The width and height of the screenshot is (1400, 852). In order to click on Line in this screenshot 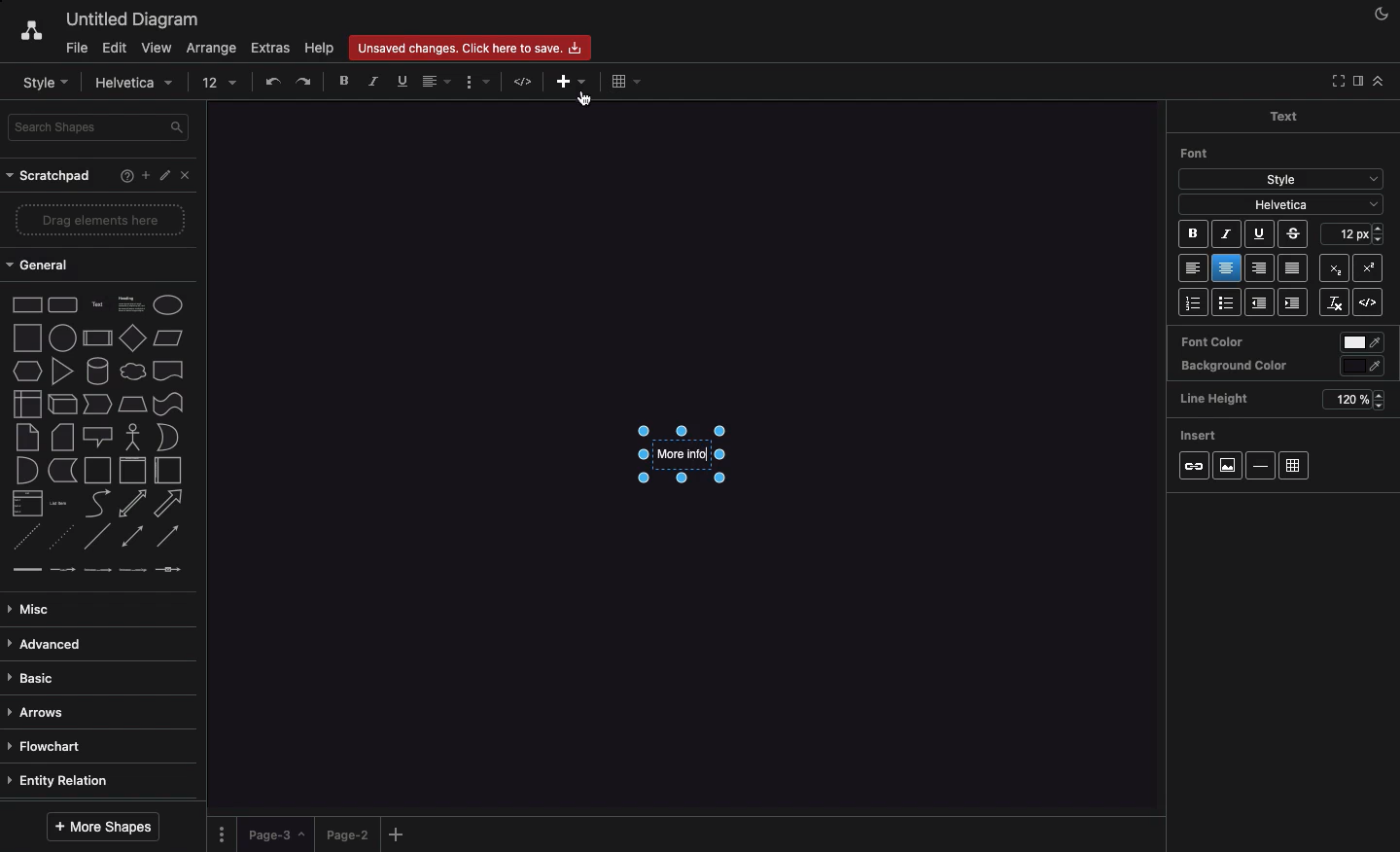, I will do `click(97, 536)`.